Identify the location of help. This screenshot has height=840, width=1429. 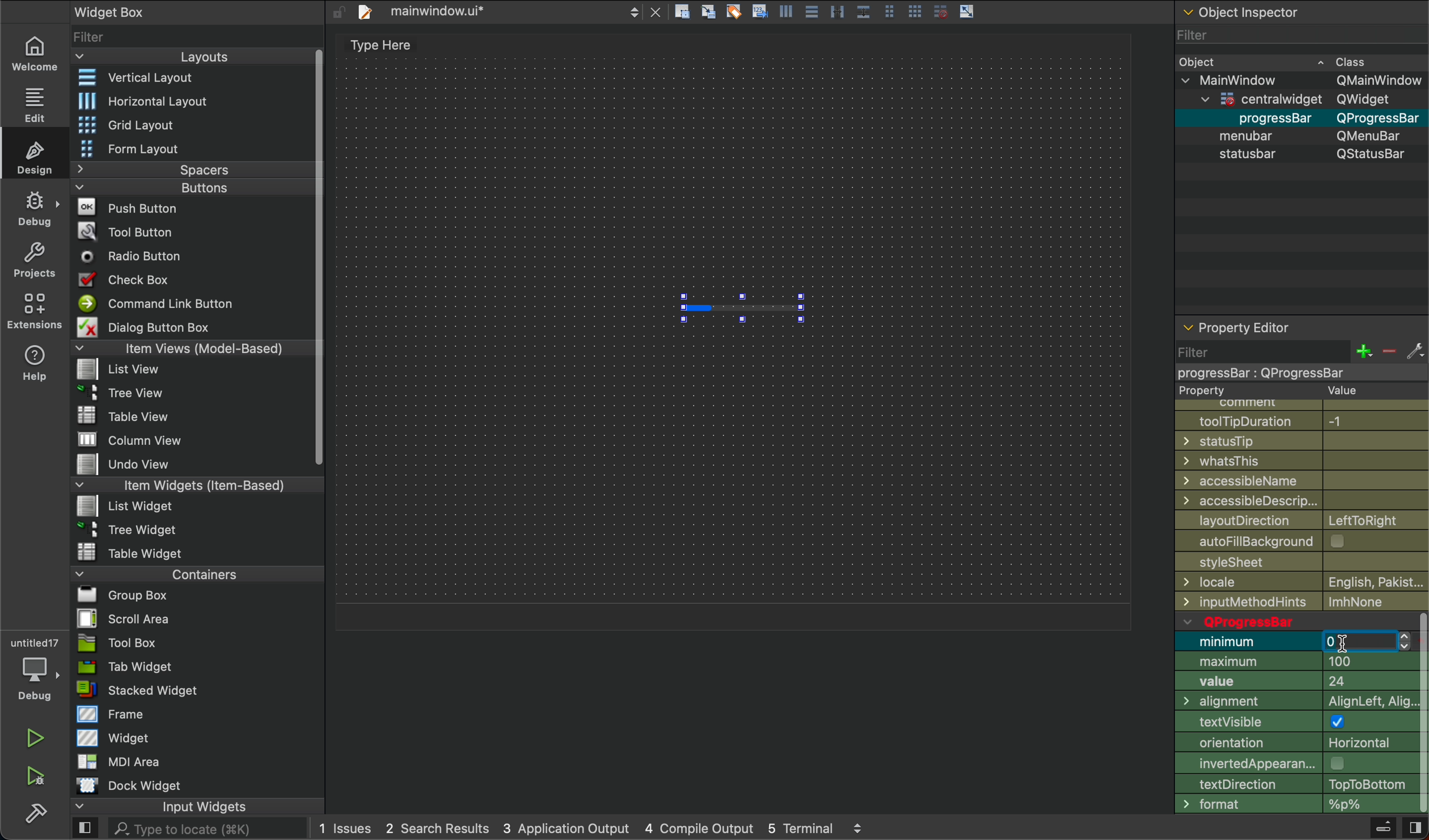
(36, 362).